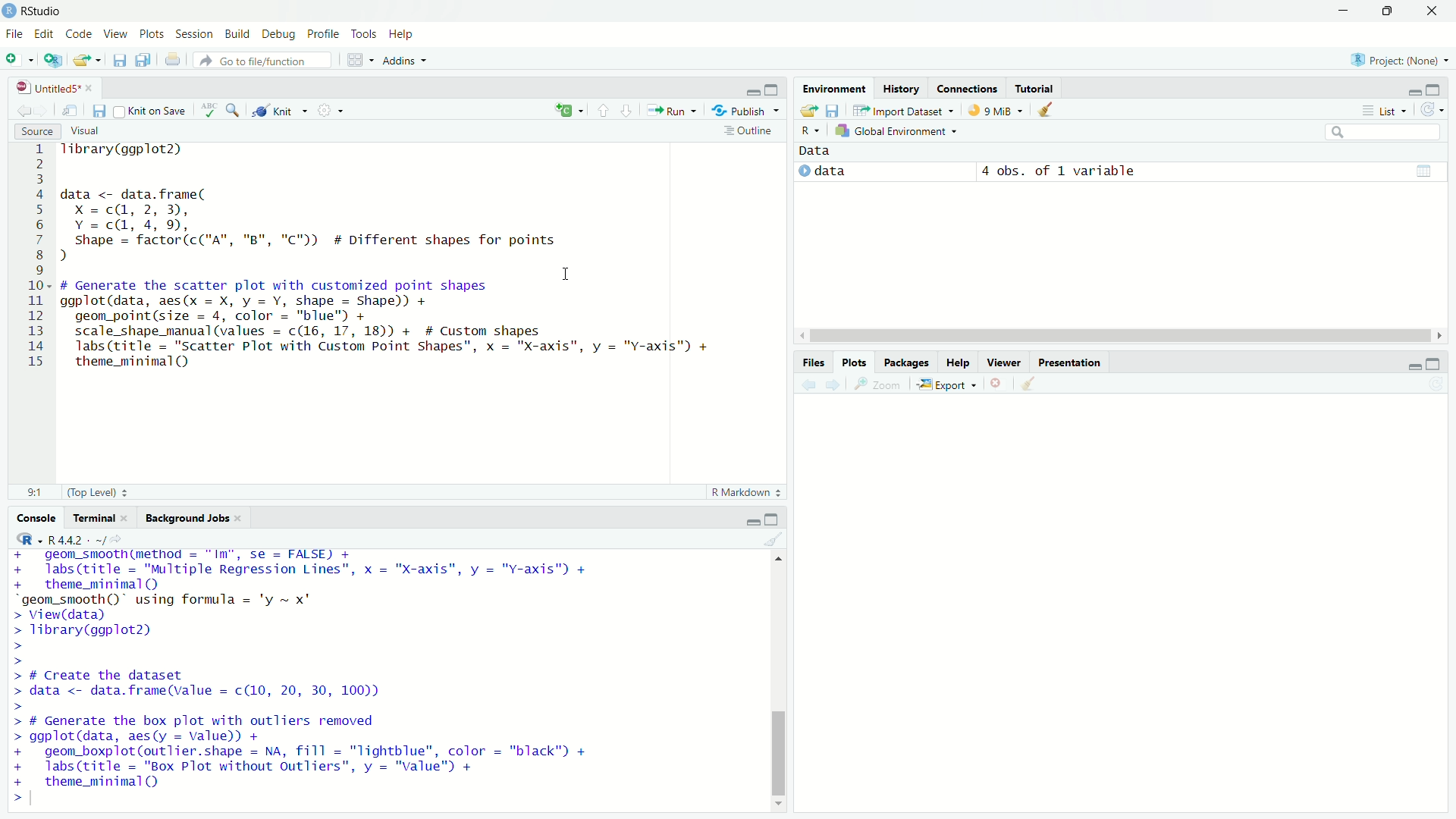 The height and width of the screenshot is (819, 1456). What do you see at coordinates (54, 59) in the screenshot?
I see `Create a project` at bounding box center [54, 59].